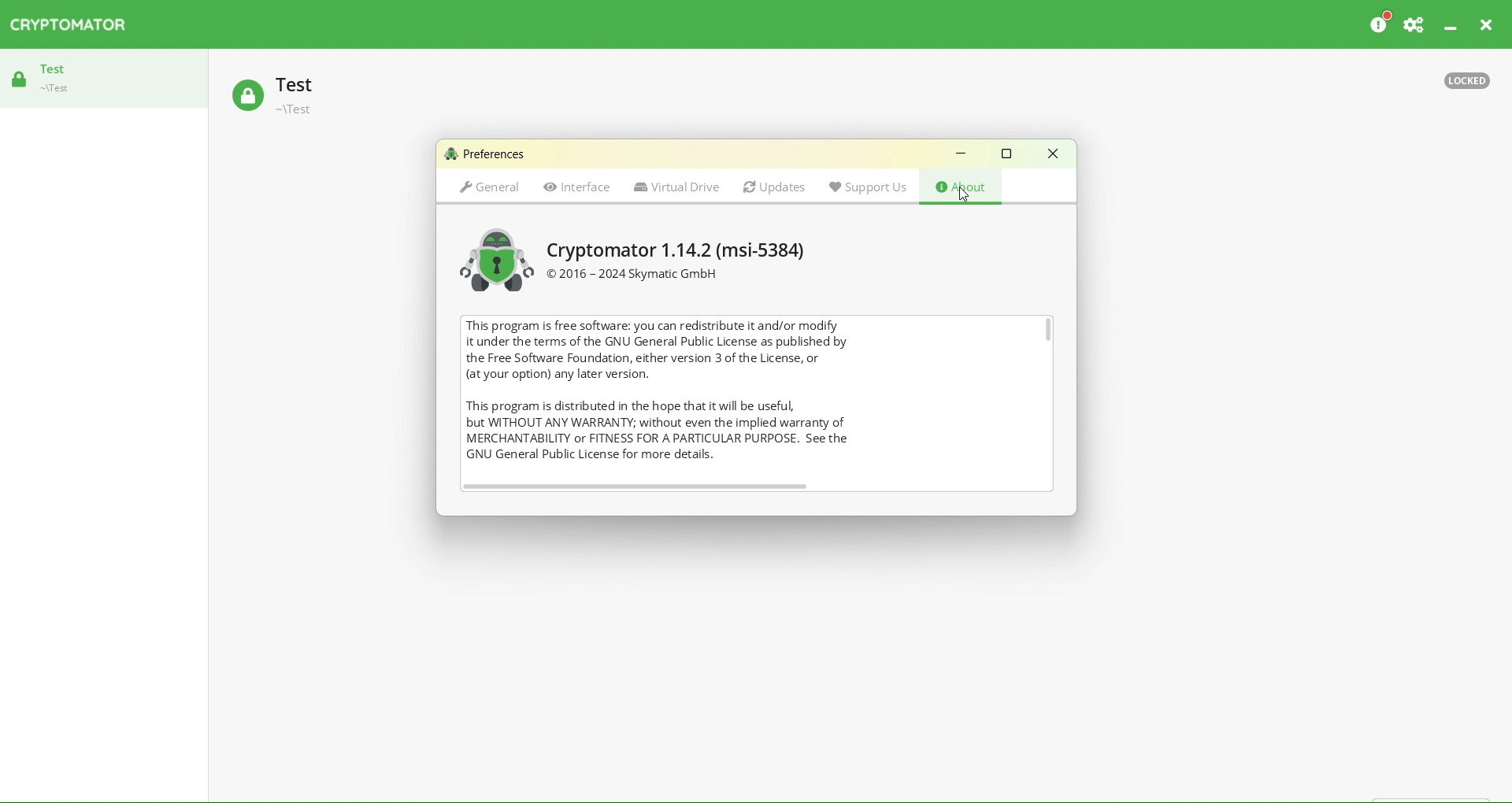 The image size is (1512, 803). Describe the element at coordinates (487, 154) in the screenshot. I see `Preferences` at that location.